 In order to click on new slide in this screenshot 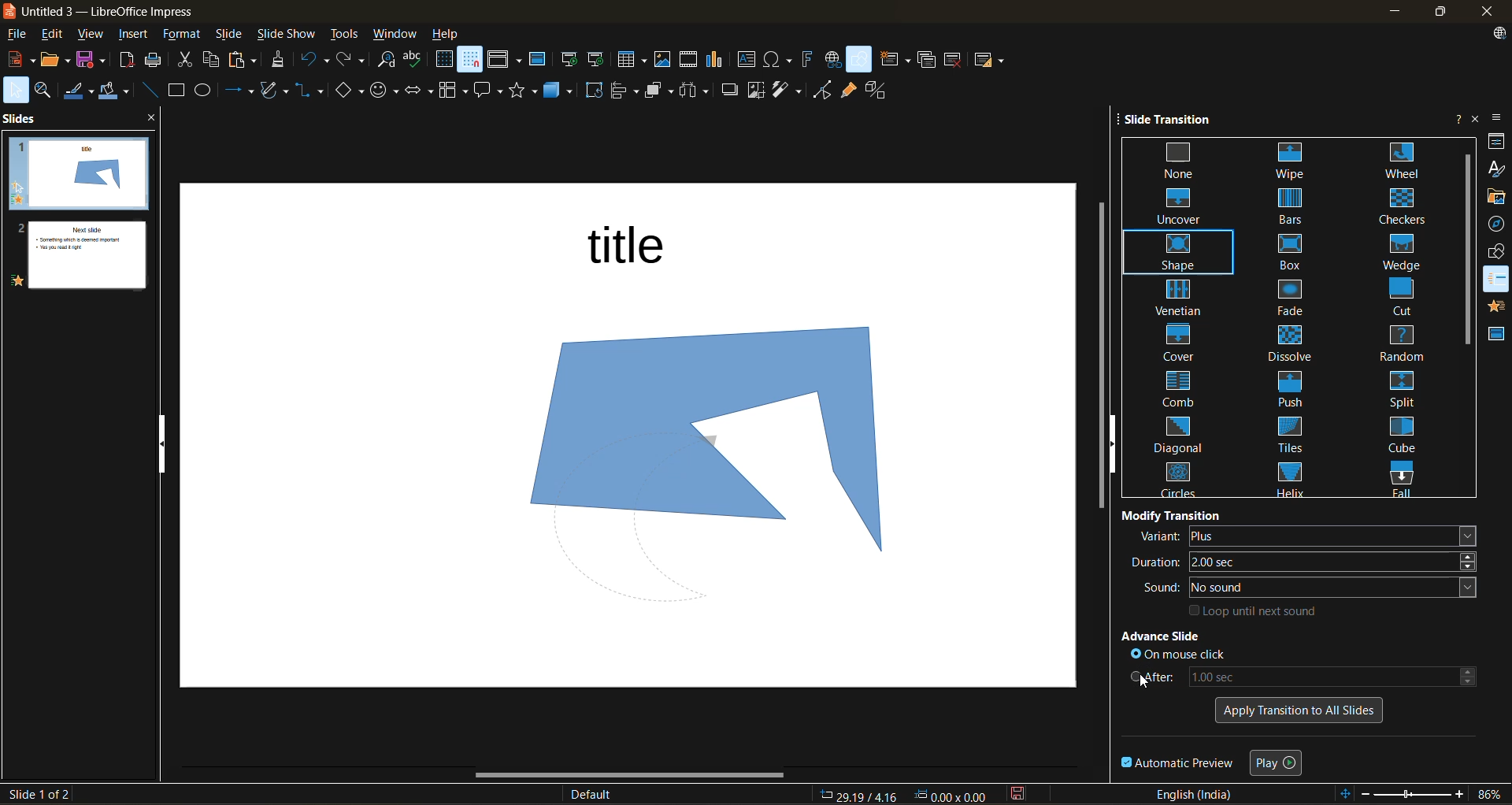, I will do `click(898, 60)`.